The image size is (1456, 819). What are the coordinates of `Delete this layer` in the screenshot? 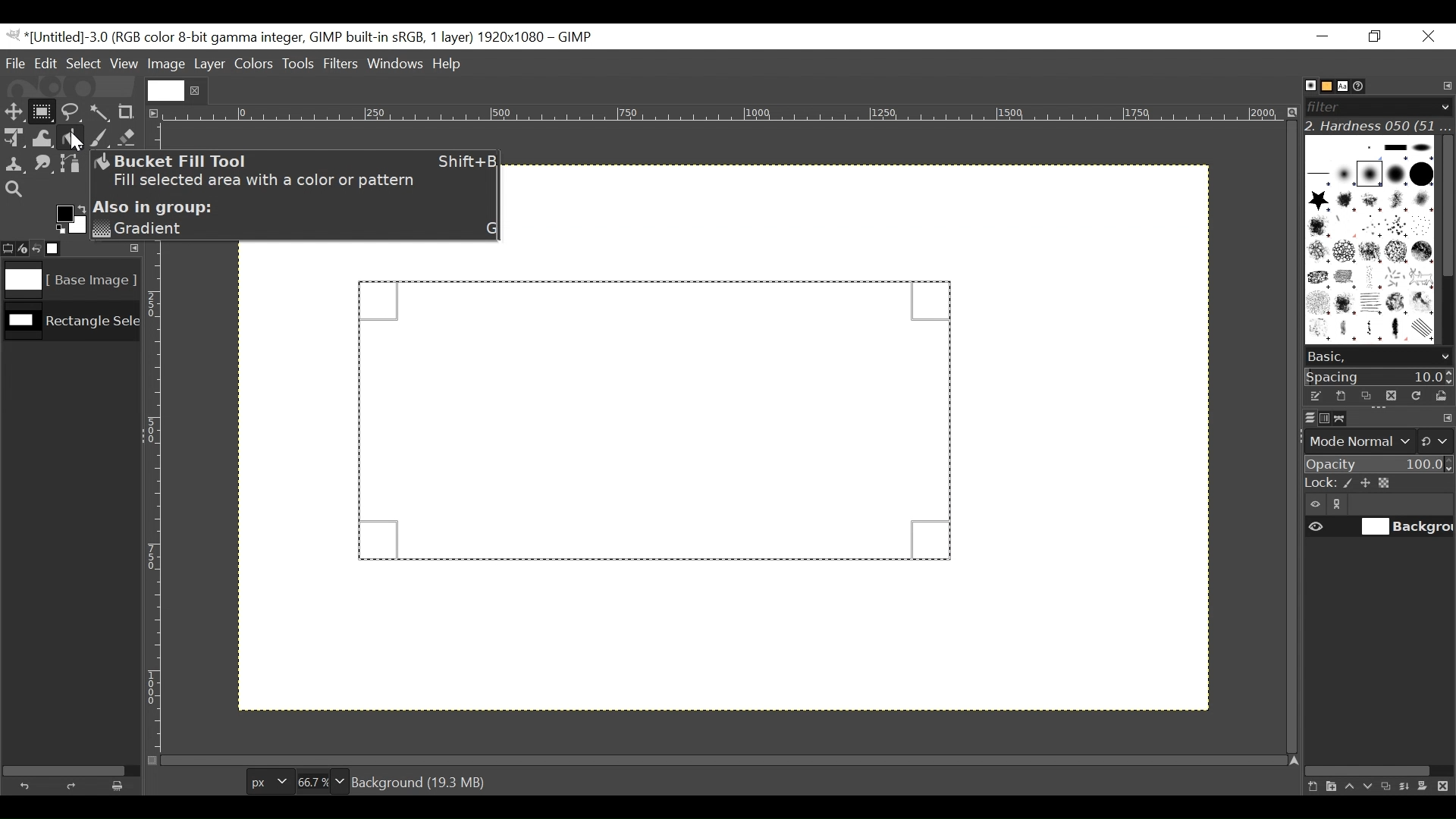 It's located at (1446, 787).